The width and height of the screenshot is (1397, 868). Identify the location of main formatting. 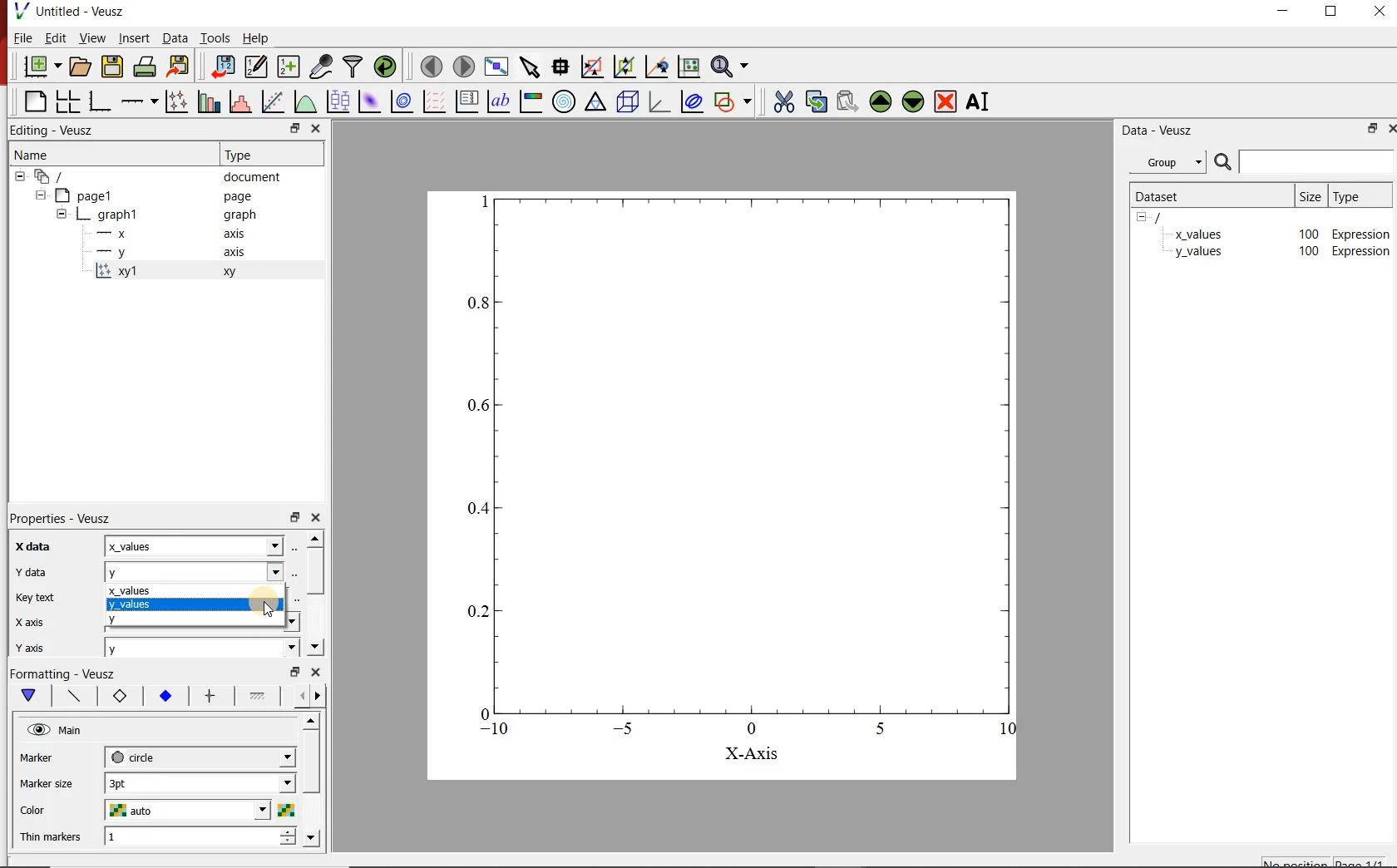
(30, 696).